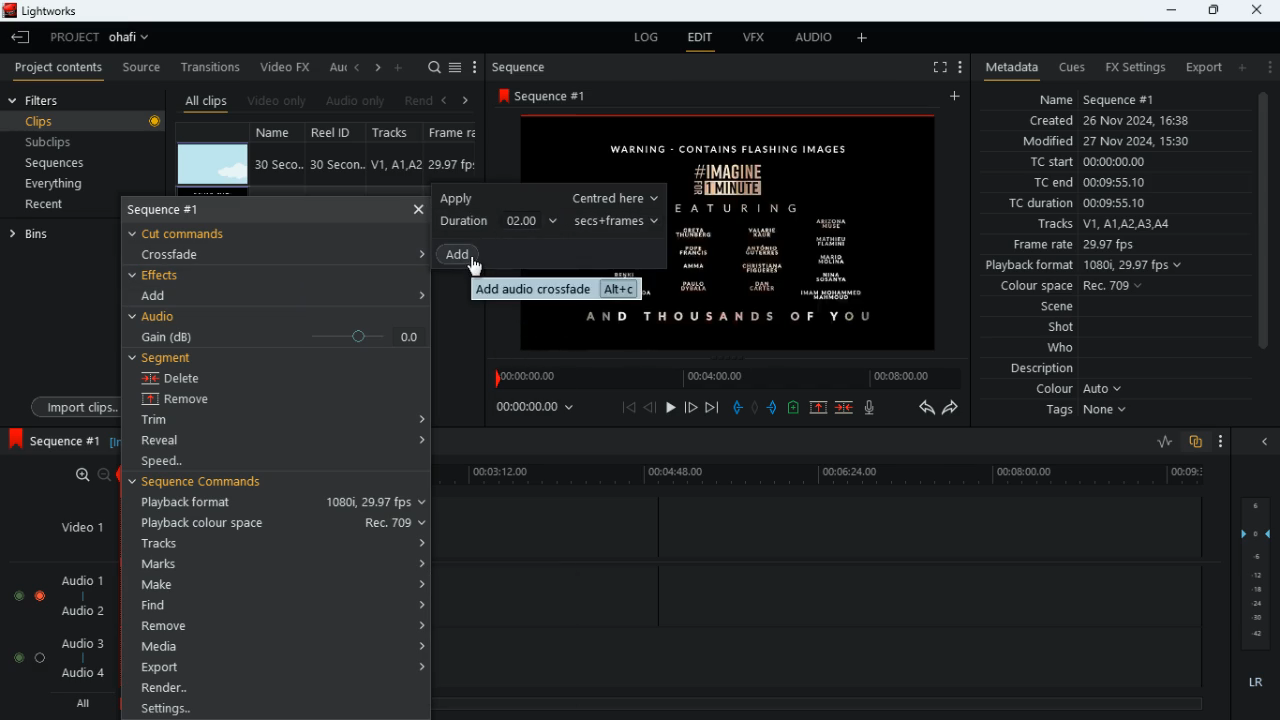 This screenshot has height=720, width=1280. Describe the element at coordinates (281, 667) in the screenshot. I see `export` at that location.